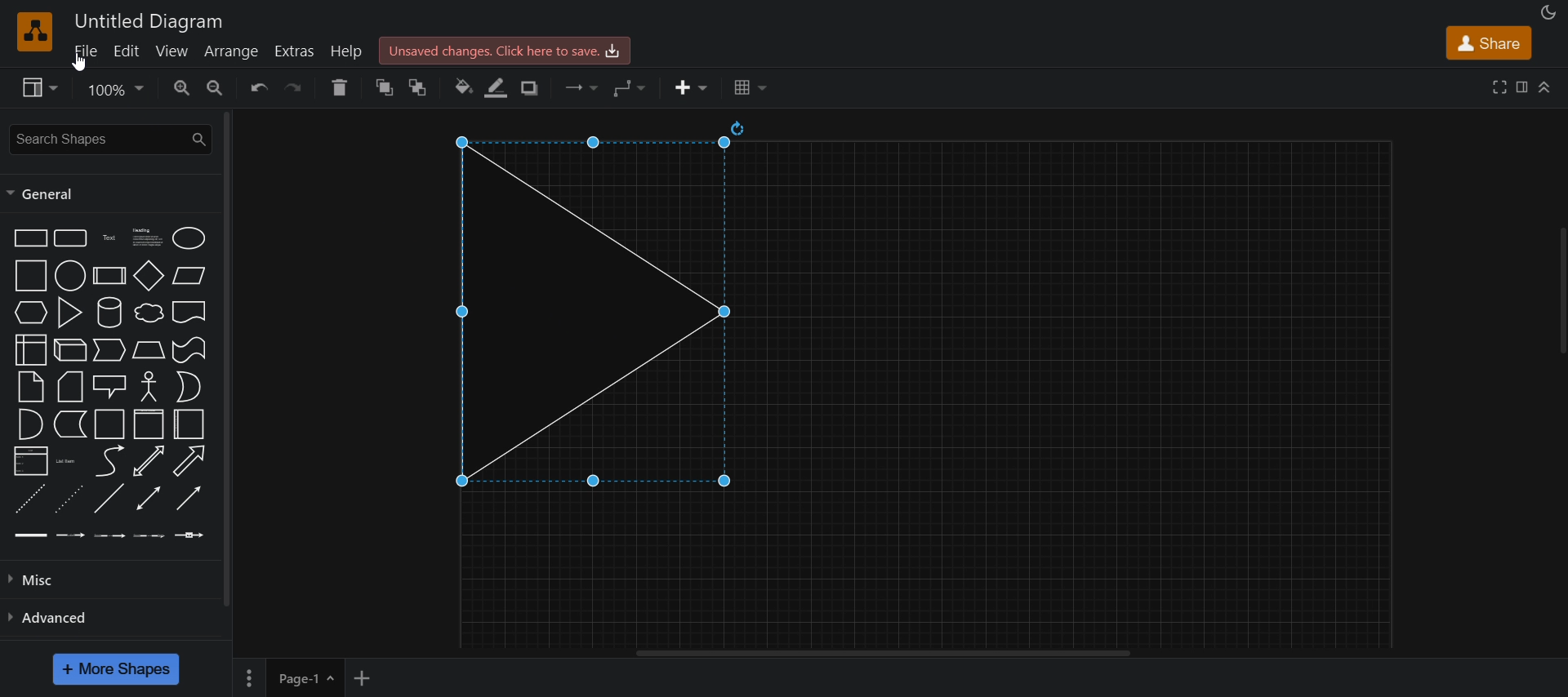 Image resolution: width=1568 pixels, height=697 pixels. Describe the element at coordinates (284, 675) in the screenshot. I see `page 1` at that location.